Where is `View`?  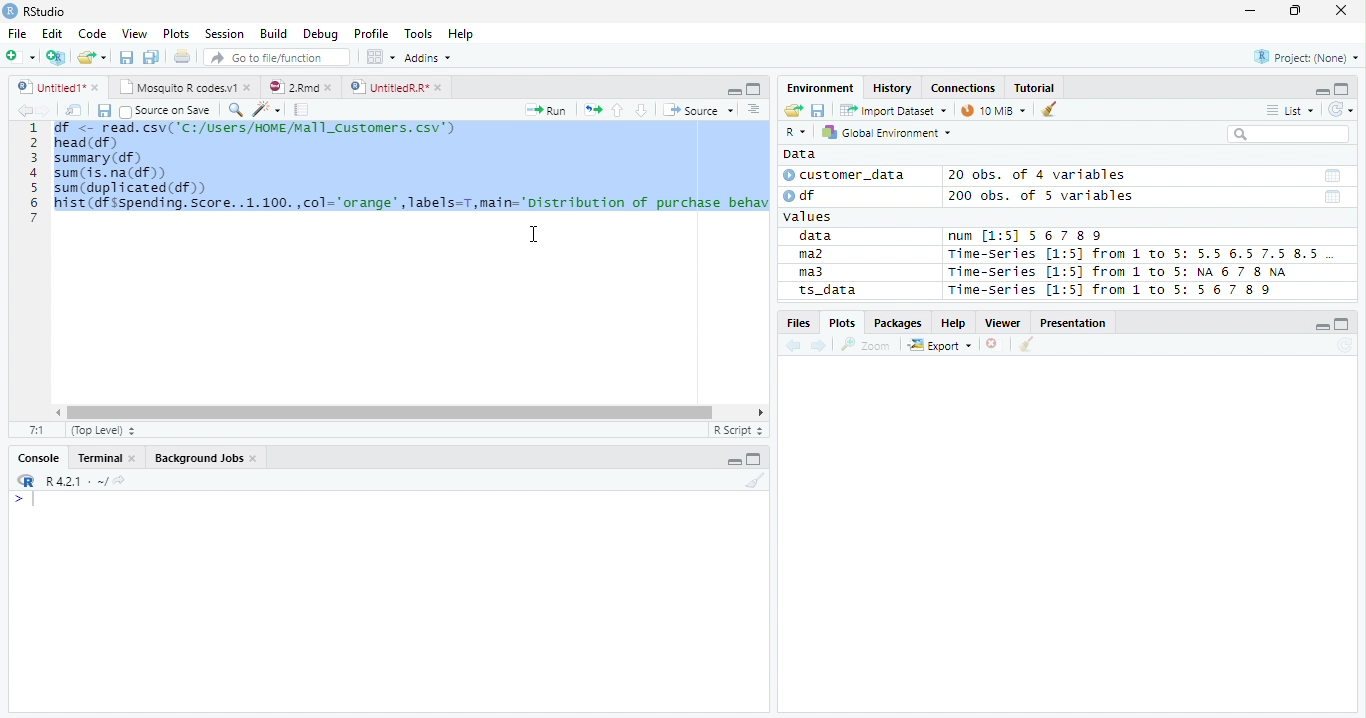 View is located at coordinates (136, 33).